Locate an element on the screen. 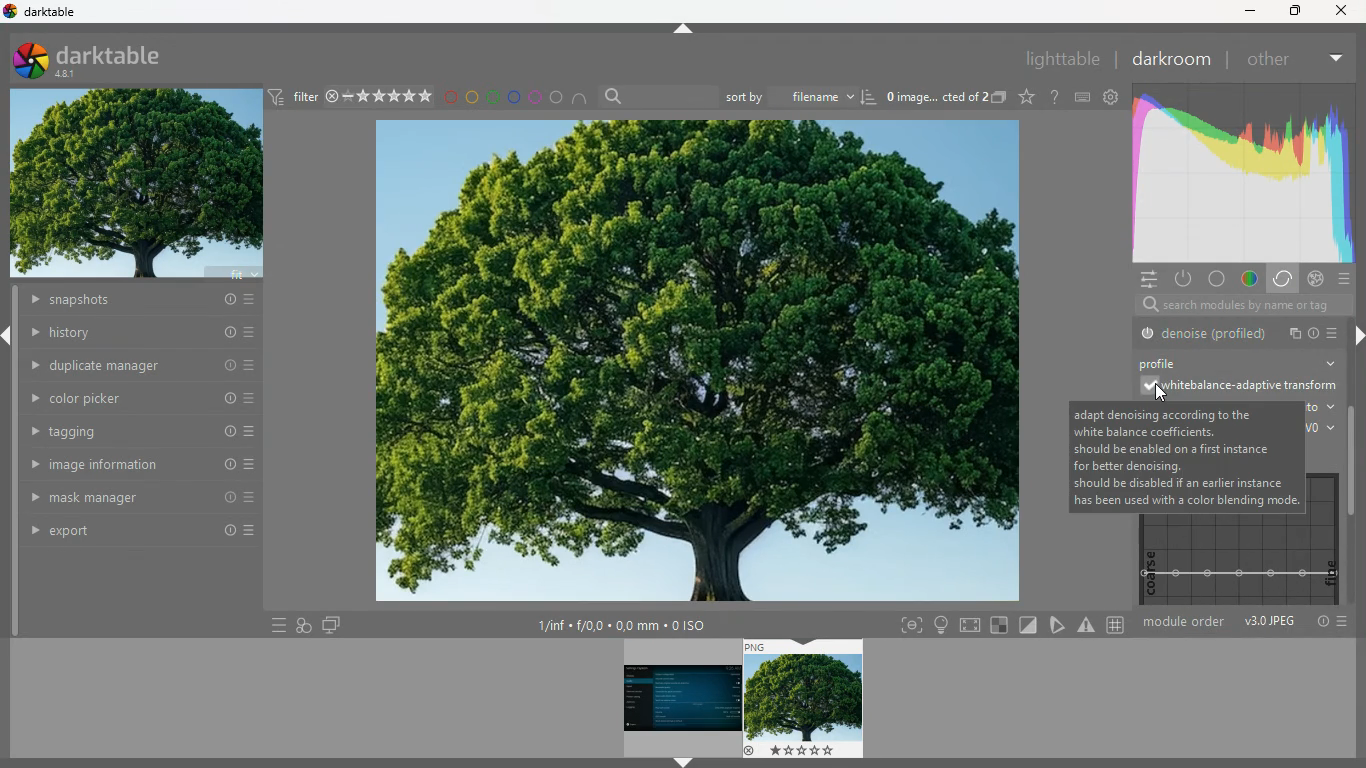  warning is located at coordinates (1087, 625).